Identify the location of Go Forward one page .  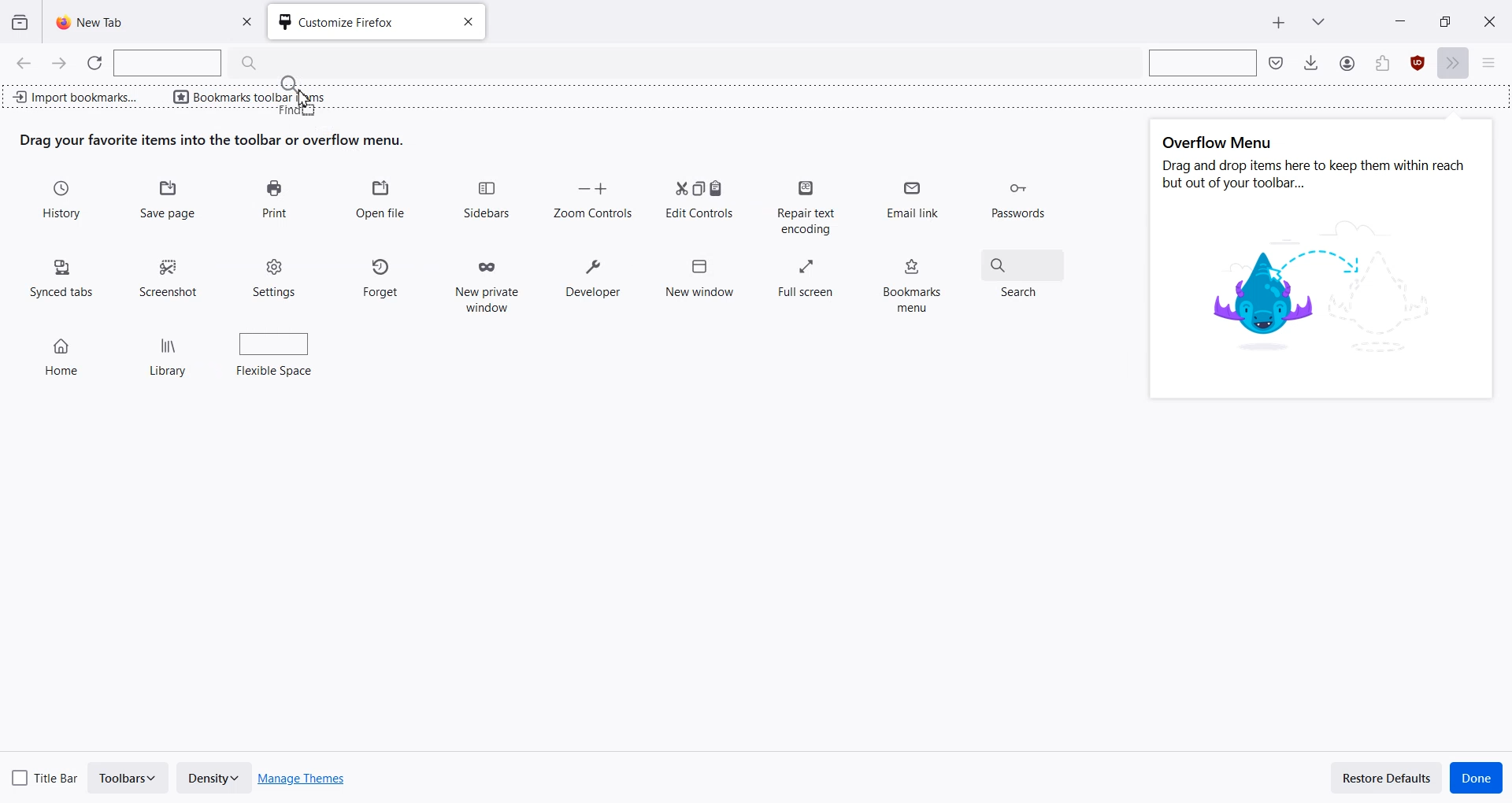
(61, 63).